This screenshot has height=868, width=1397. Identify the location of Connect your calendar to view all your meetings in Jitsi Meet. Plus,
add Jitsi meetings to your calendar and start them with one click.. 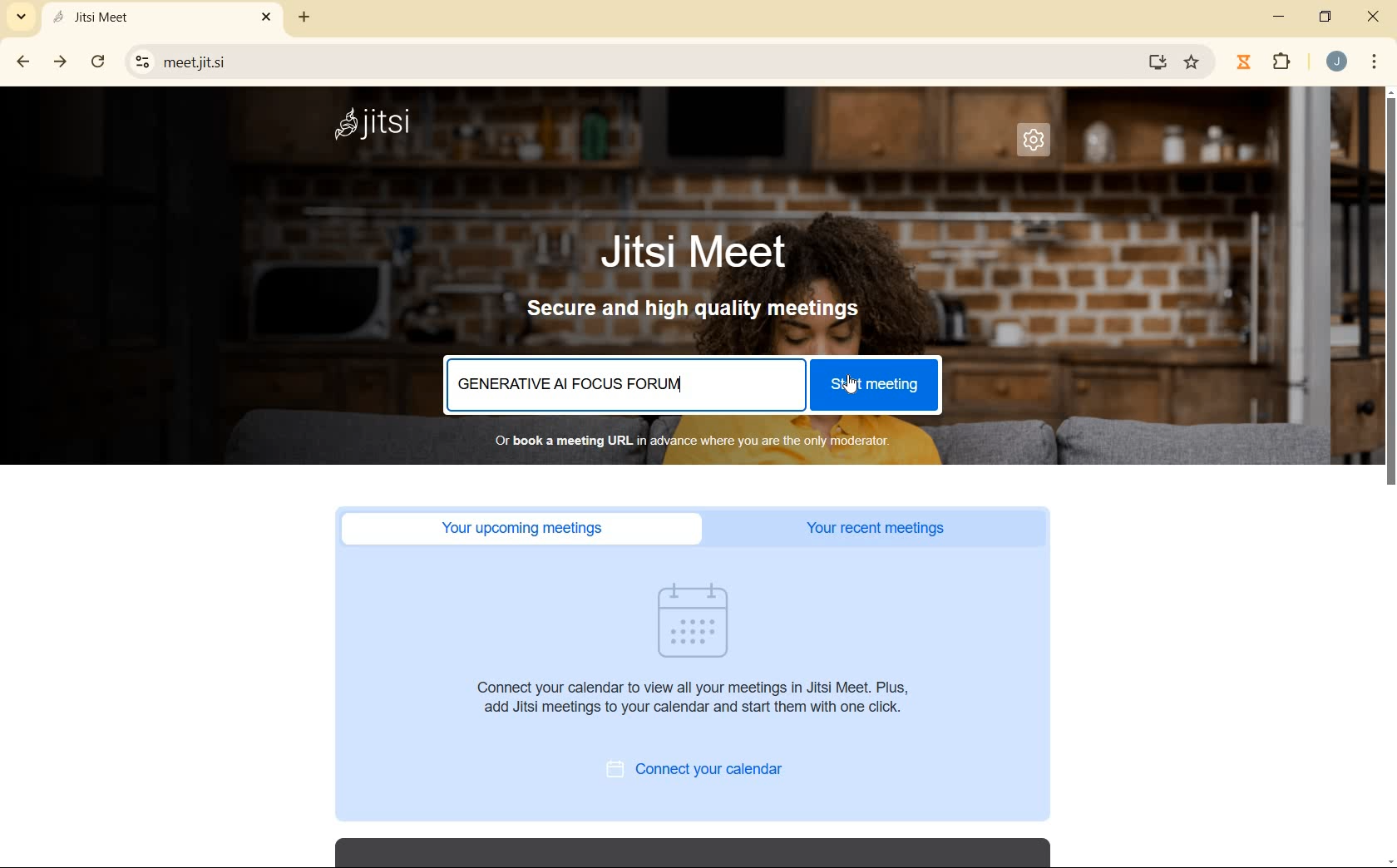
(702, 703).